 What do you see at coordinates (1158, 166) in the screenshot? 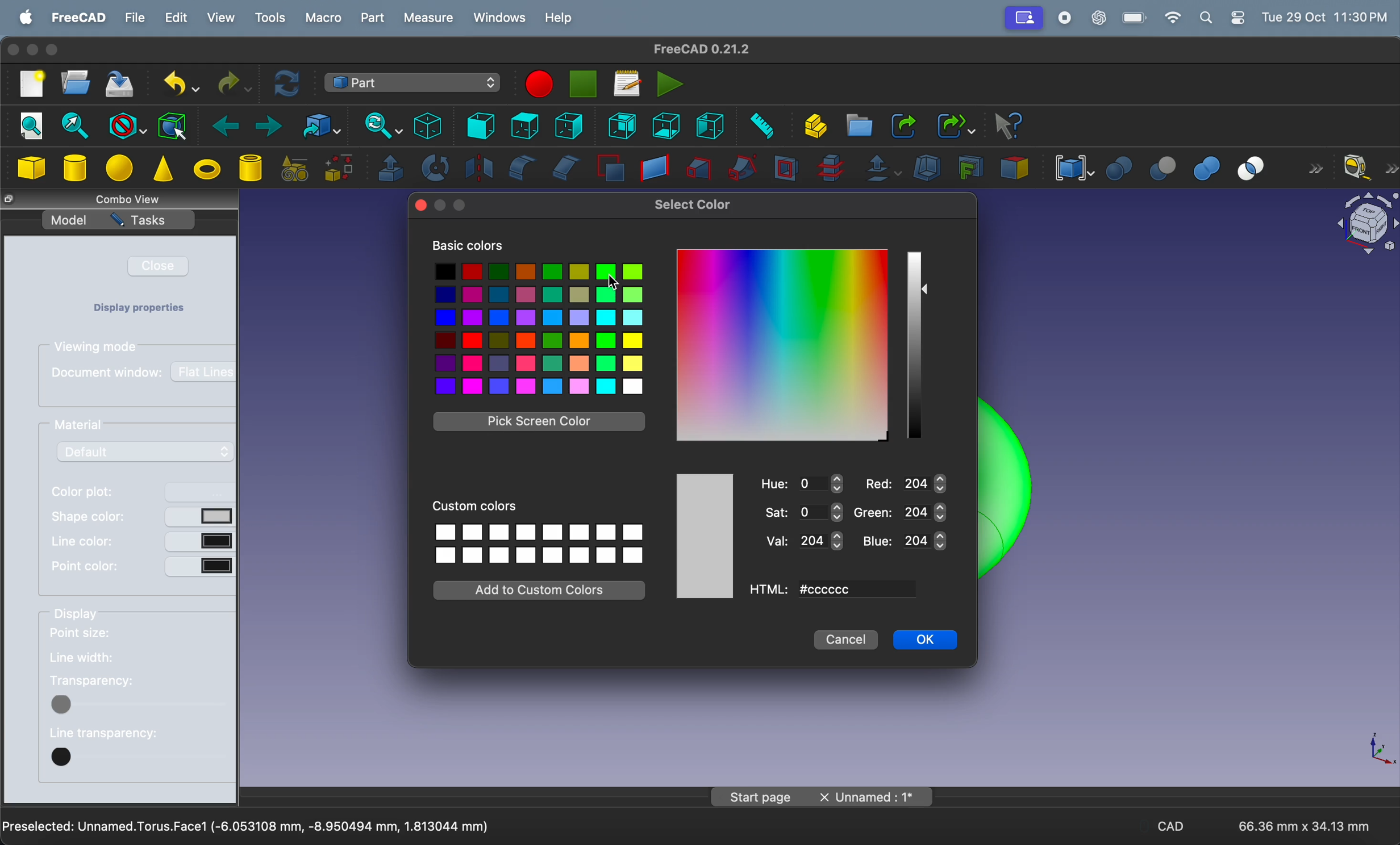
I see `cut` at bounding box center [1158, 166].